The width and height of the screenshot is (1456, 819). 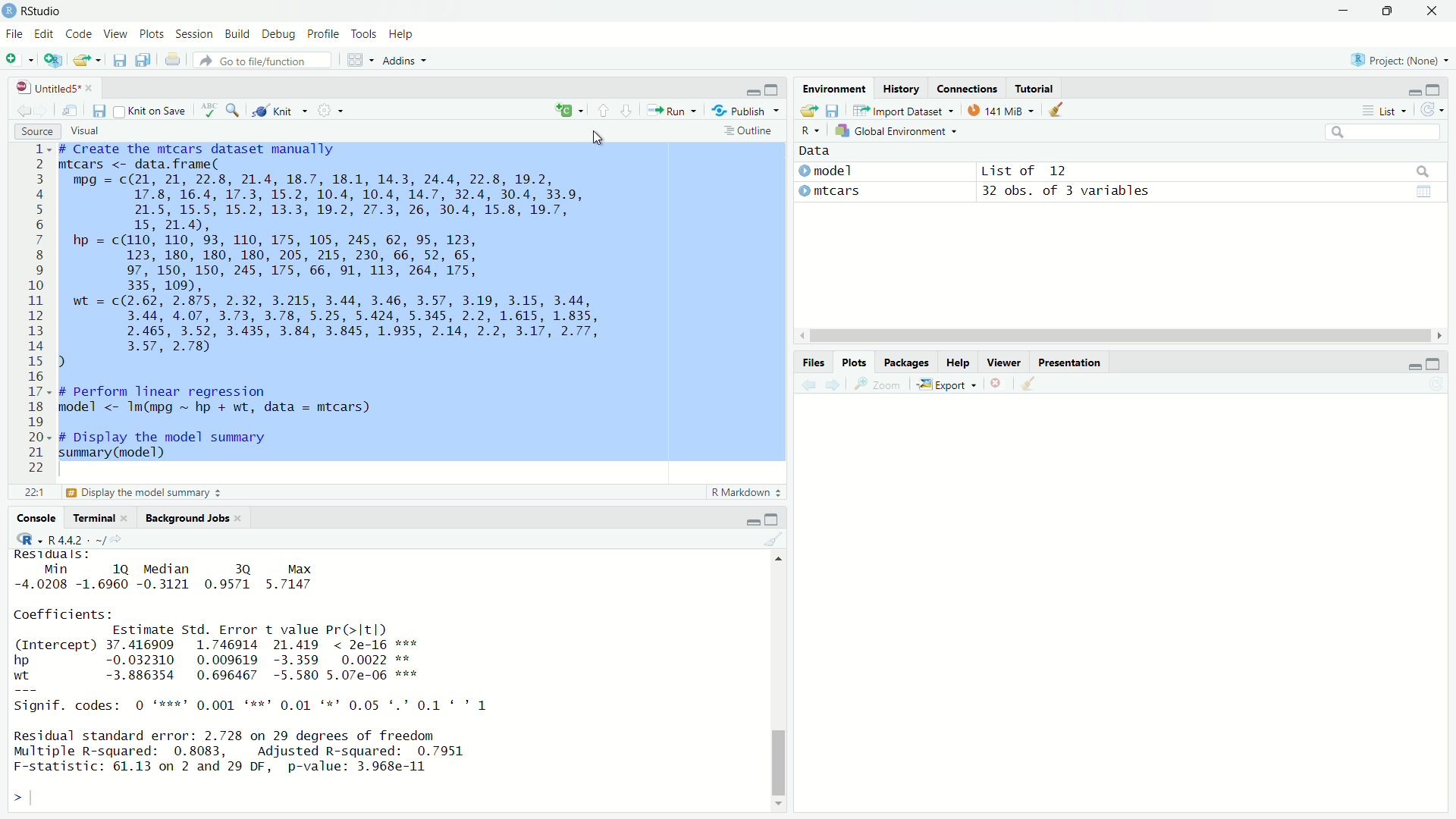 I want to click on knit, so click(x=276, y=111).